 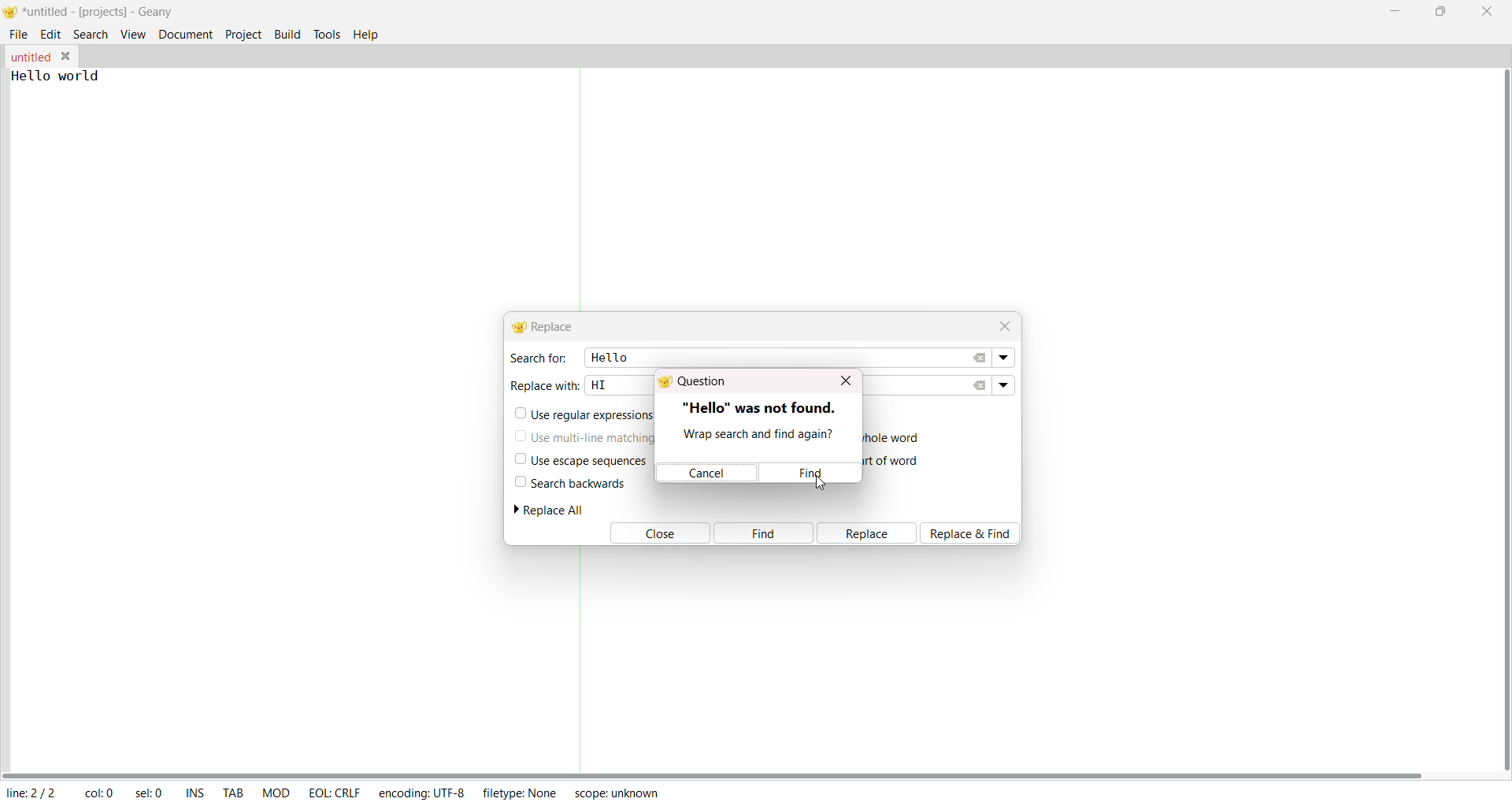 I want to click on hello, so click(x=607, y=356).